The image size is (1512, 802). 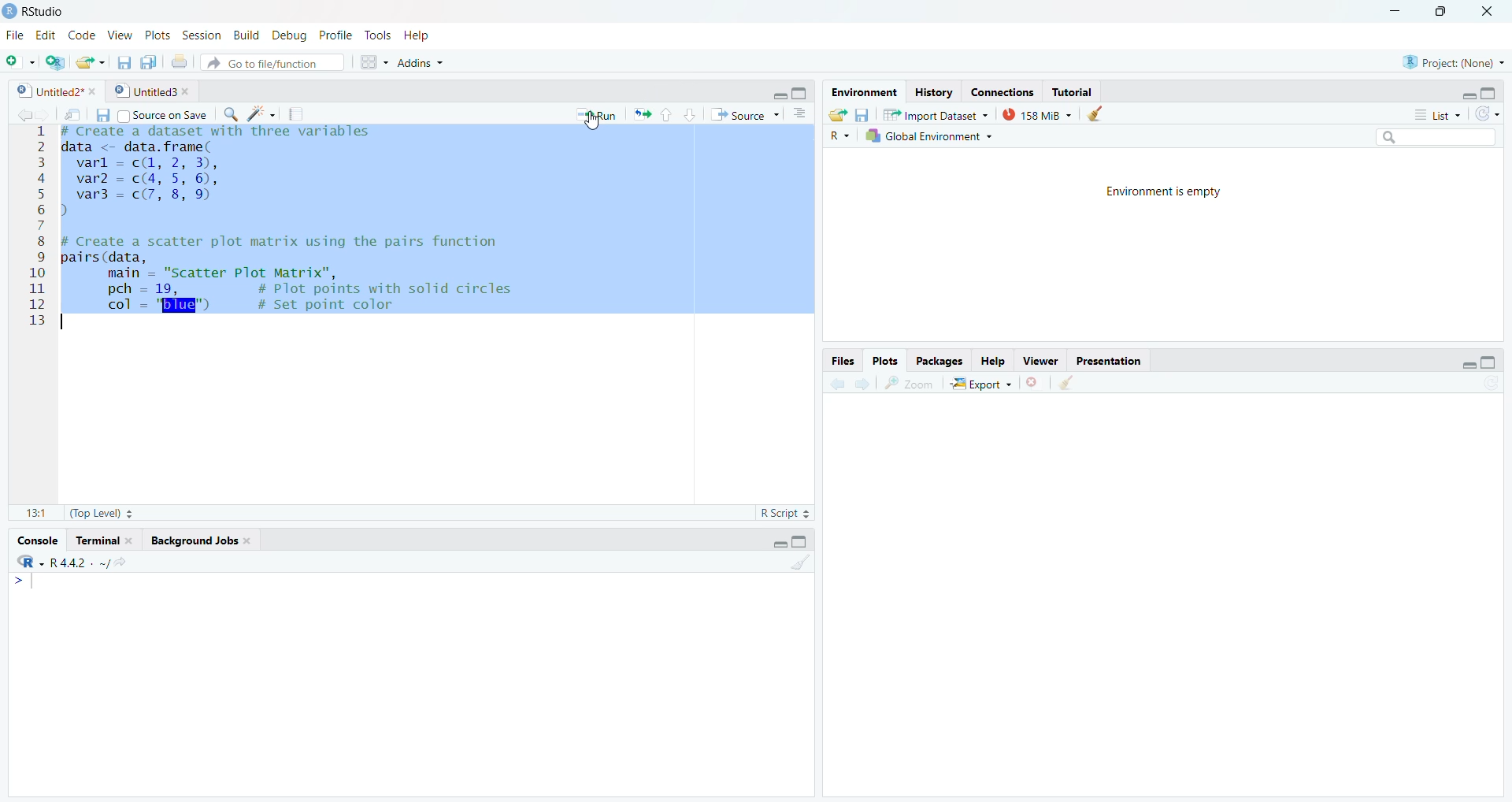 I want to click on 1:1, so click(x=31, y=513).